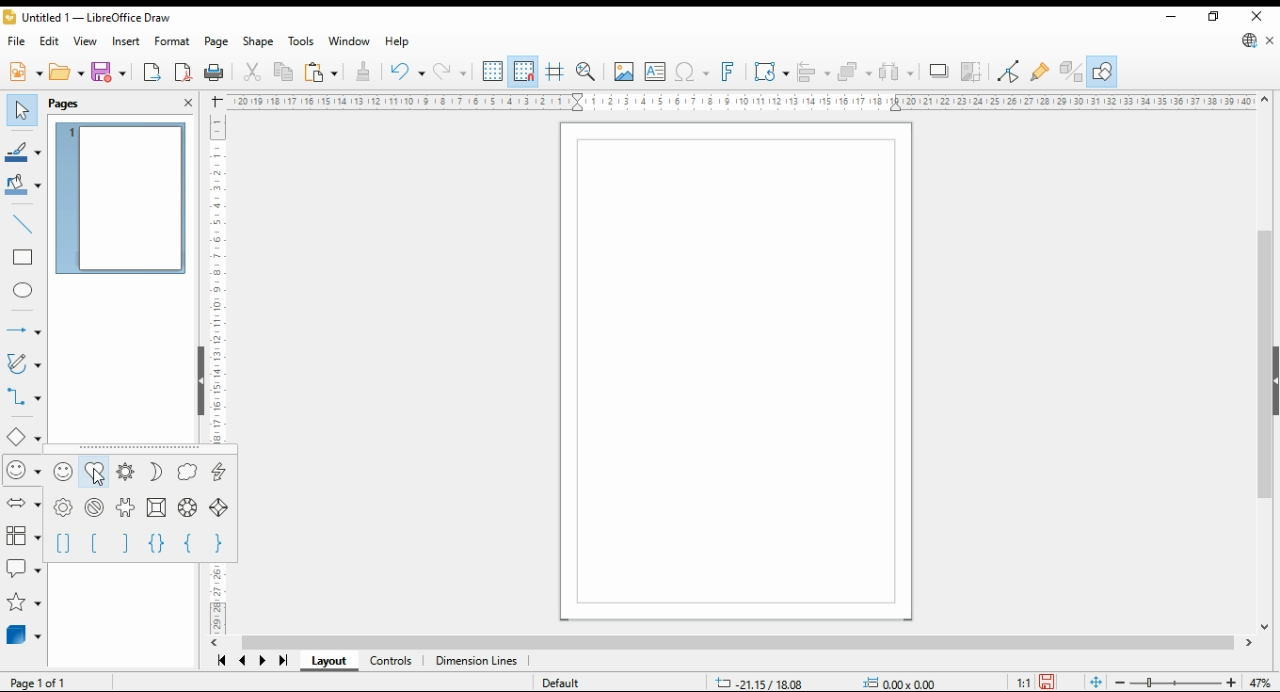 This screenshot has height=692, width=1280. Describe the element at coordinates (188, 507) in the screenshot. I see `octagon bevel` at that location.